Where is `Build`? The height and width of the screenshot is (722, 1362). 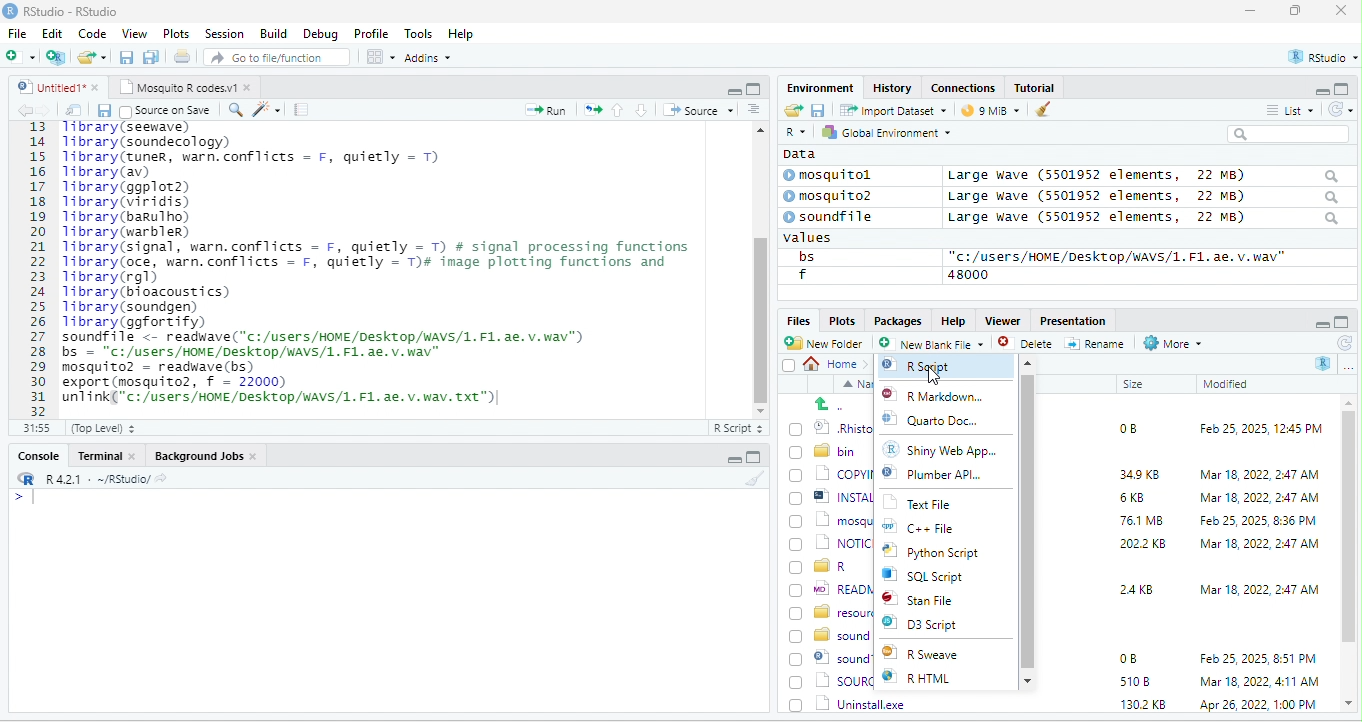 Build is located at coordinates (274, 33).